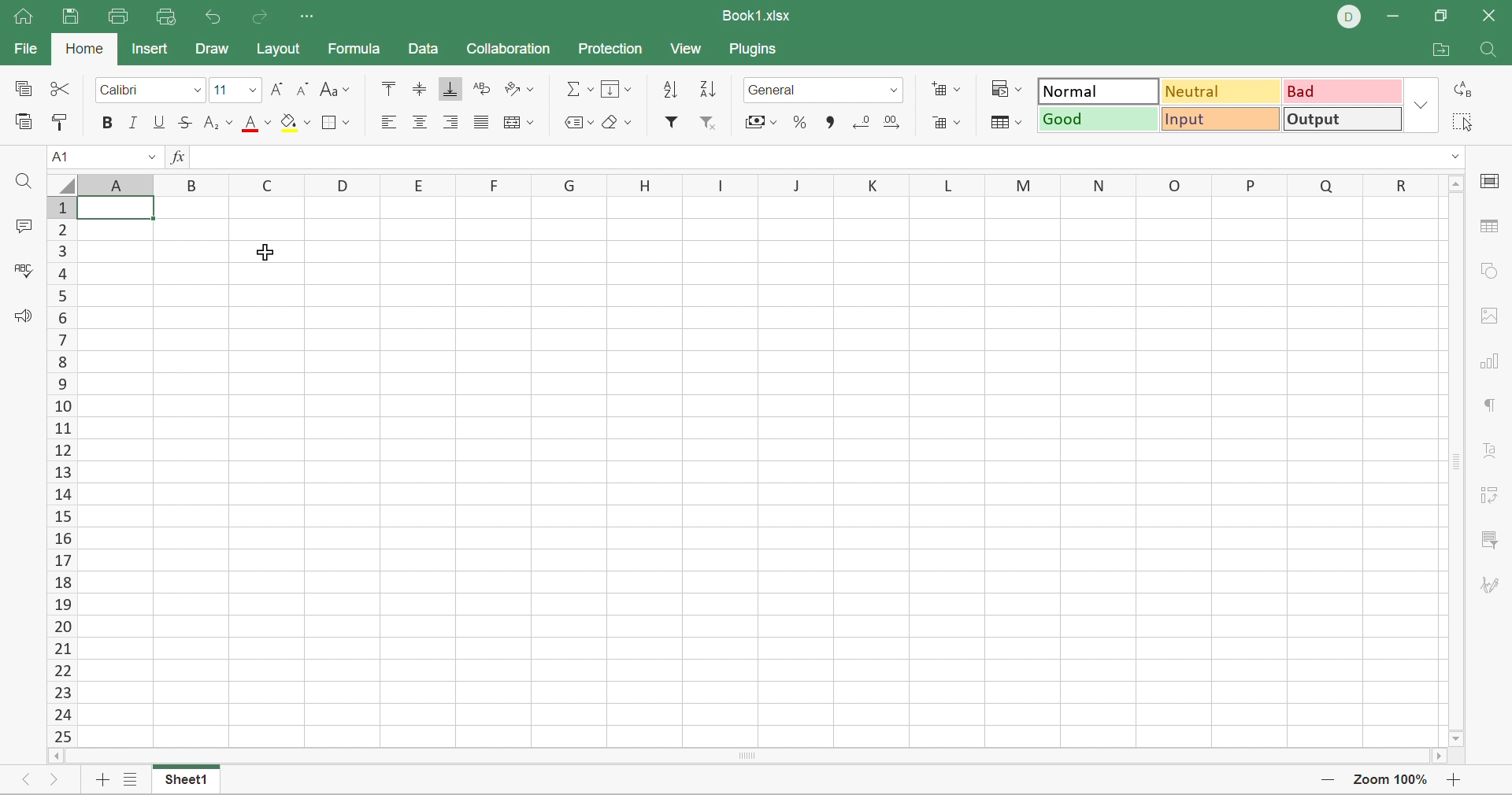 The width and height of the screenshot is (1512, 795). Describe the element at coordinates (421, 91) in the screenshot. I see `Align Middle` at that location.